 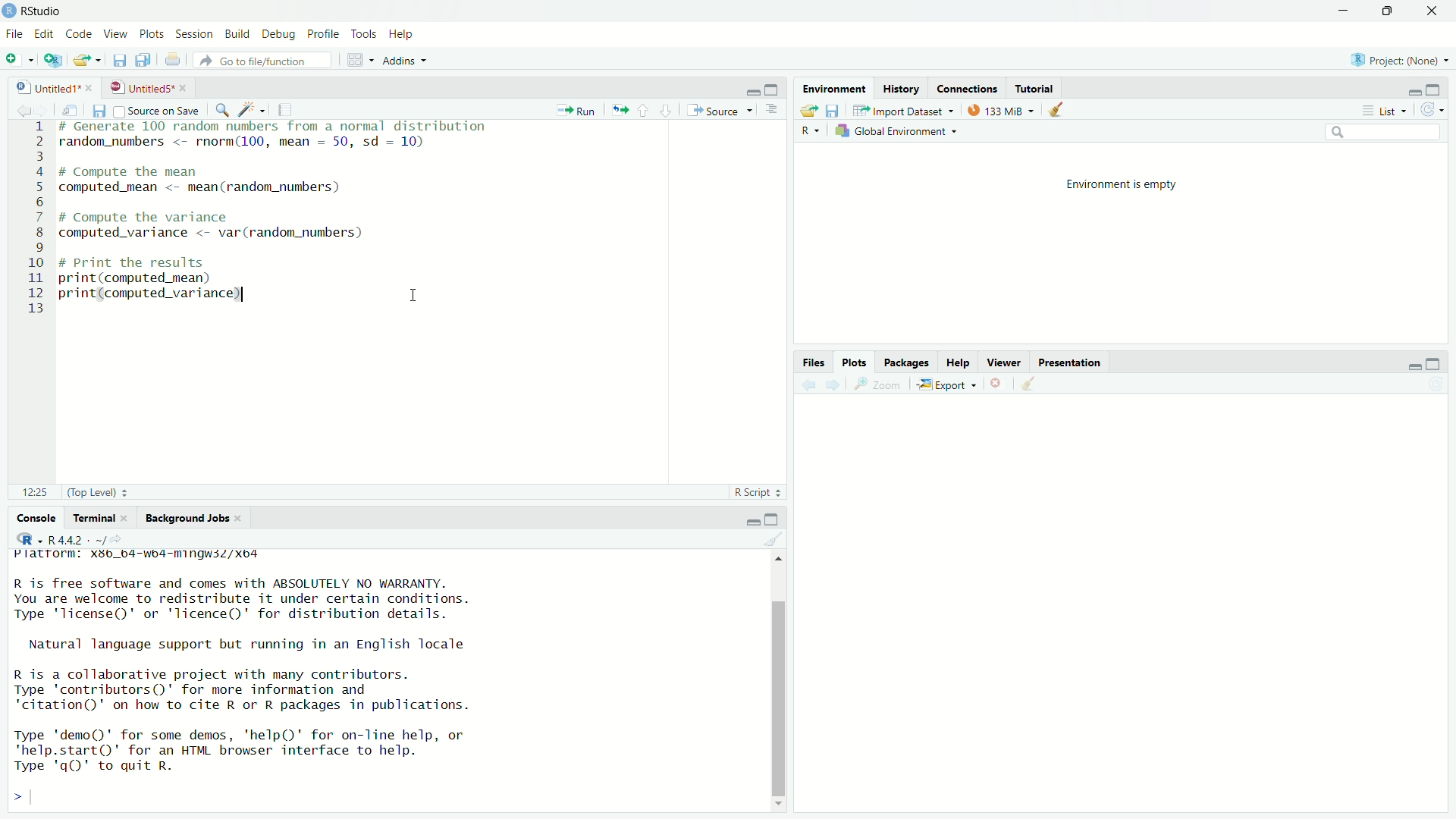 What do you see at coordinates (89, 60) in the screenshot?
I see `open an existing file` at bounding box center [89, 60].